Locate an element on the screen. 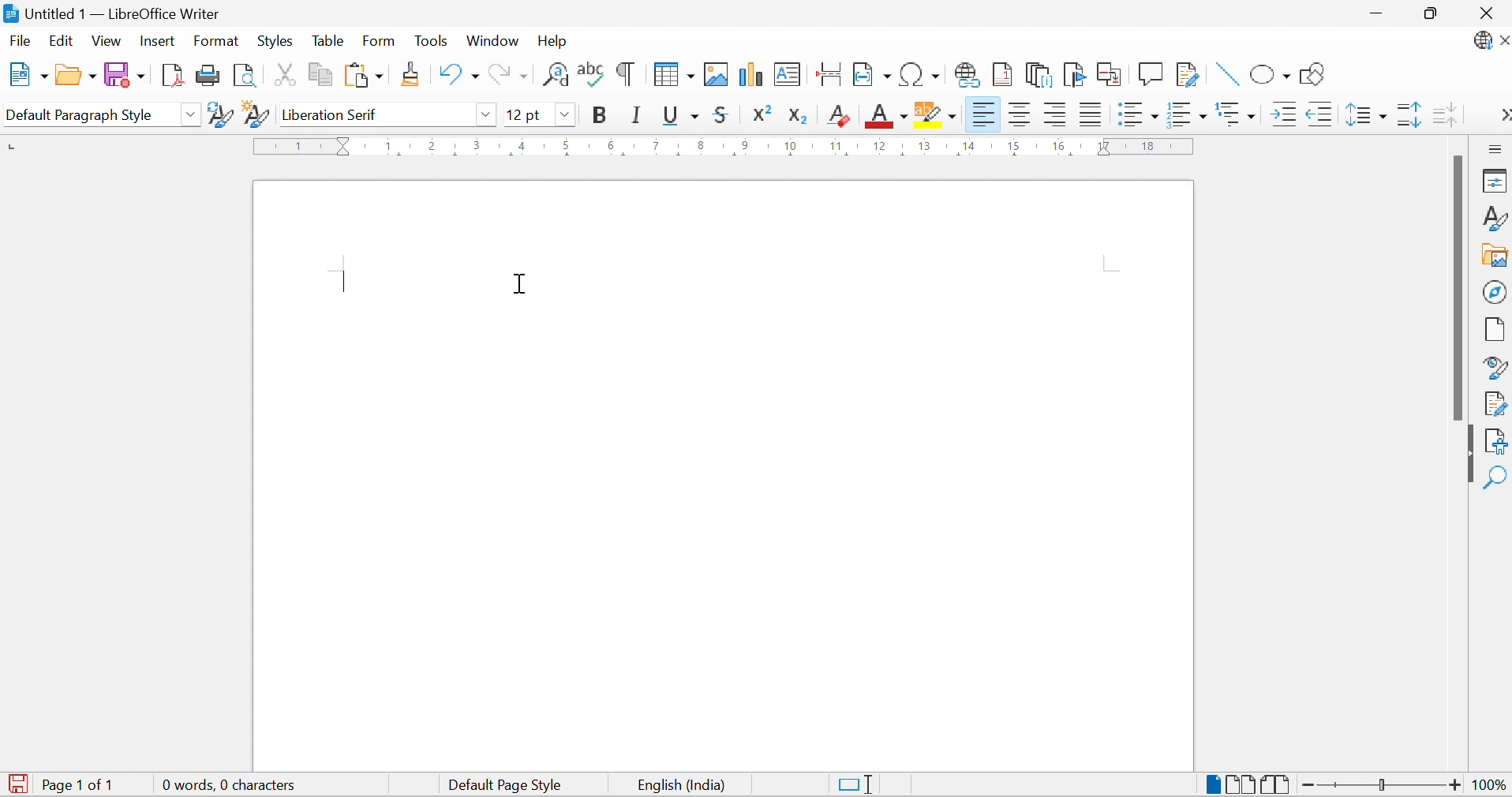 The height and width of the screenshot is (797, 1512). Edit is located at coordinates (62, 40).